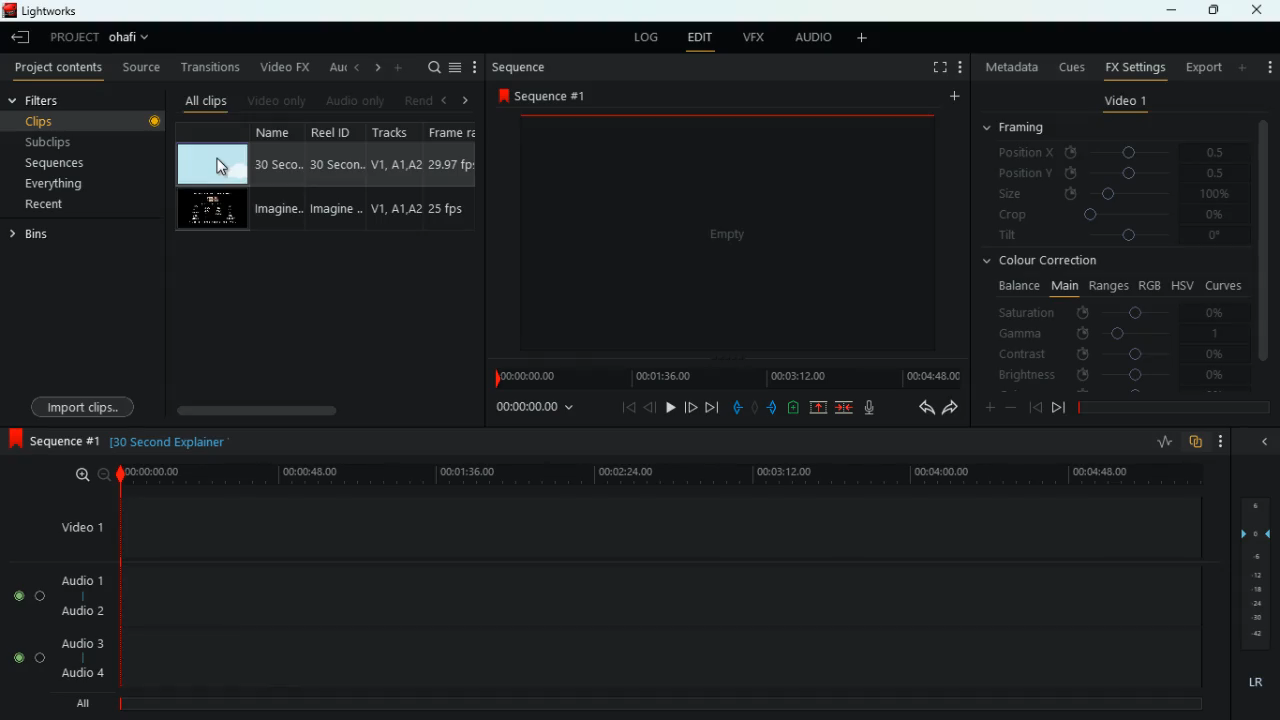  What do you see at coordinates (460, 101) in the screenshot?
I see `right` at bounding box center [460, 101].